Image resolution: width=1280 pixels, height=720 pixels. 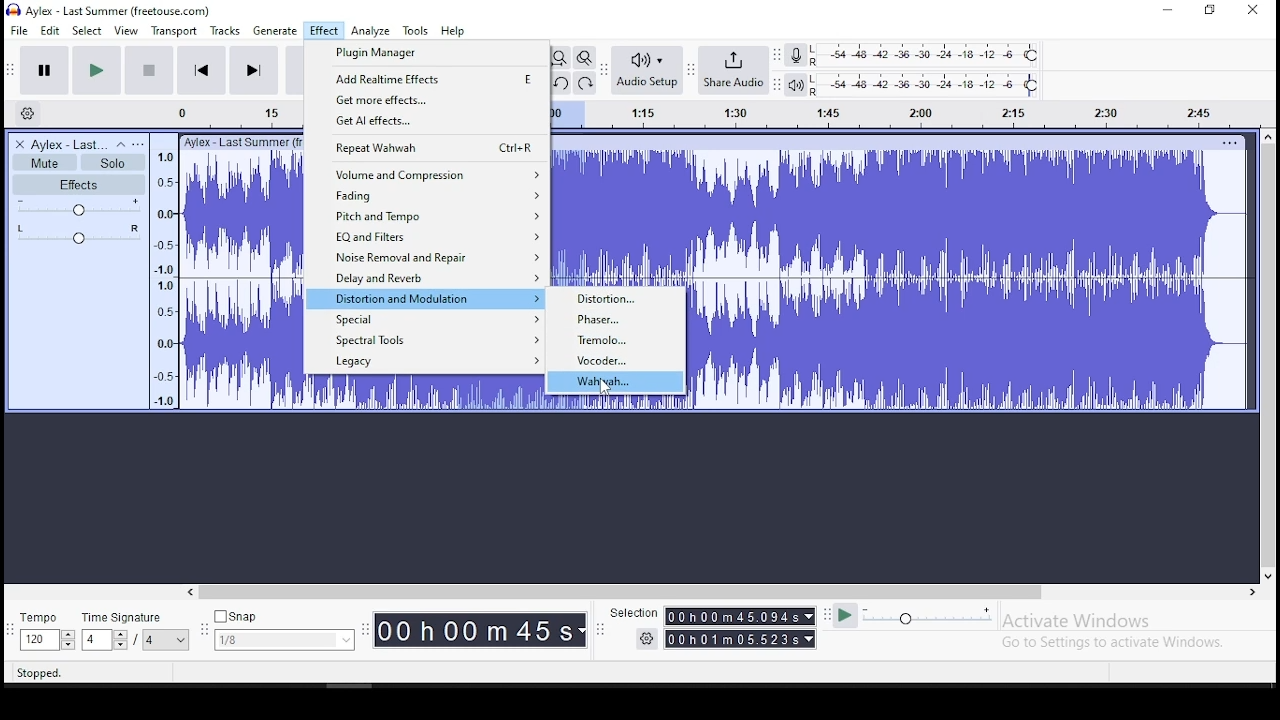 What do you see at coordinates (168, 274) in the screenshot?
I see `timeline` at bounding box center [168, 274].